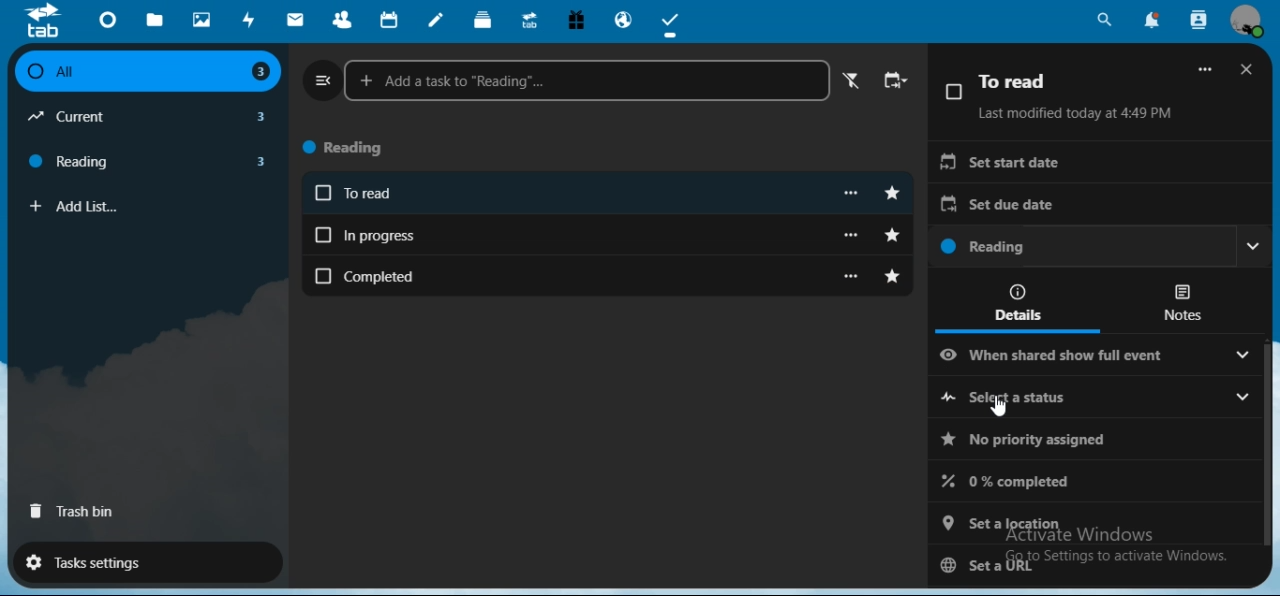  I want to click on set start date, so click(1100, 162).